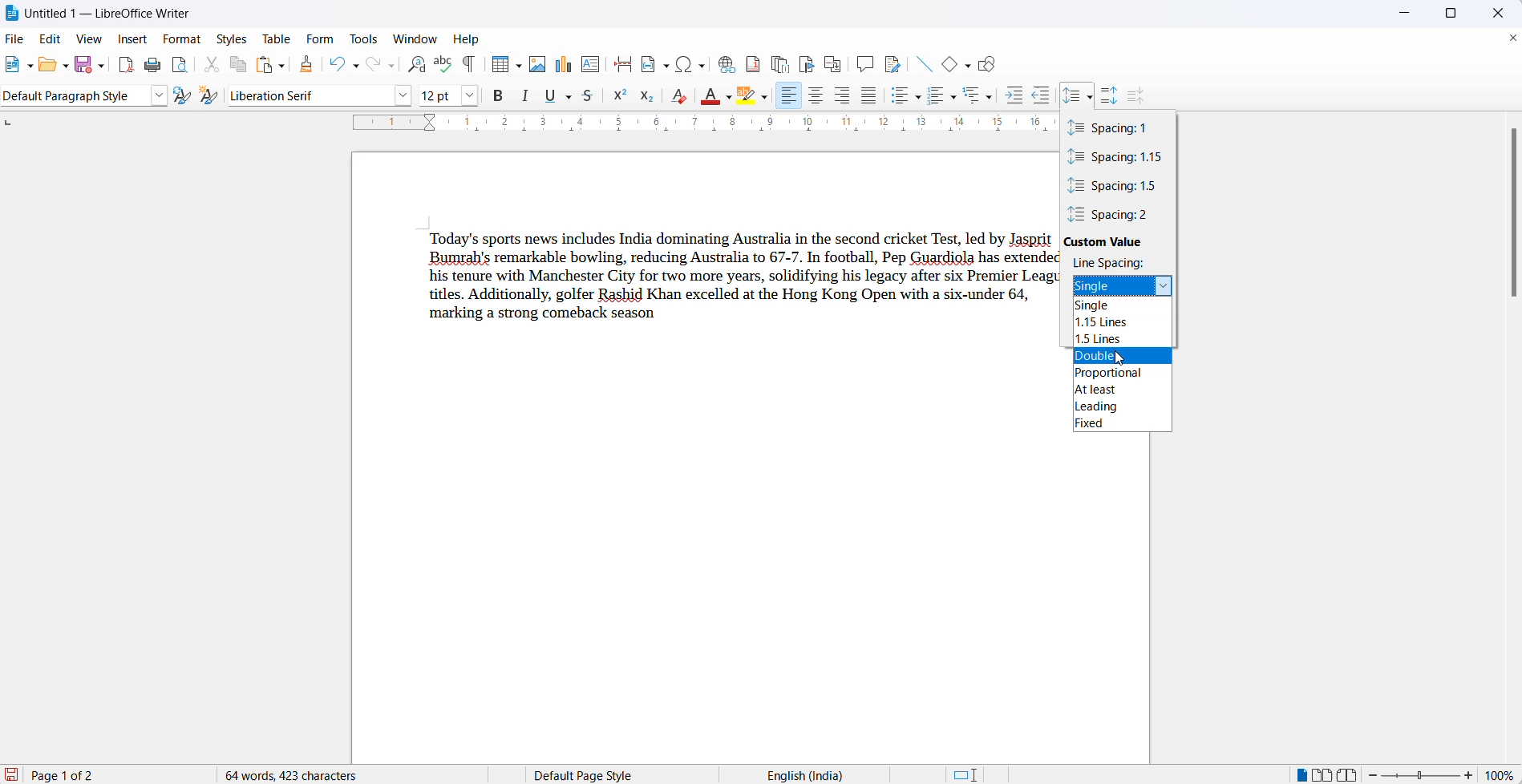 The width and height of the screenshot is (1522, 784). Describe the element at coordinates (562, 65) in the screenshot. I see `insert charts` at that location.